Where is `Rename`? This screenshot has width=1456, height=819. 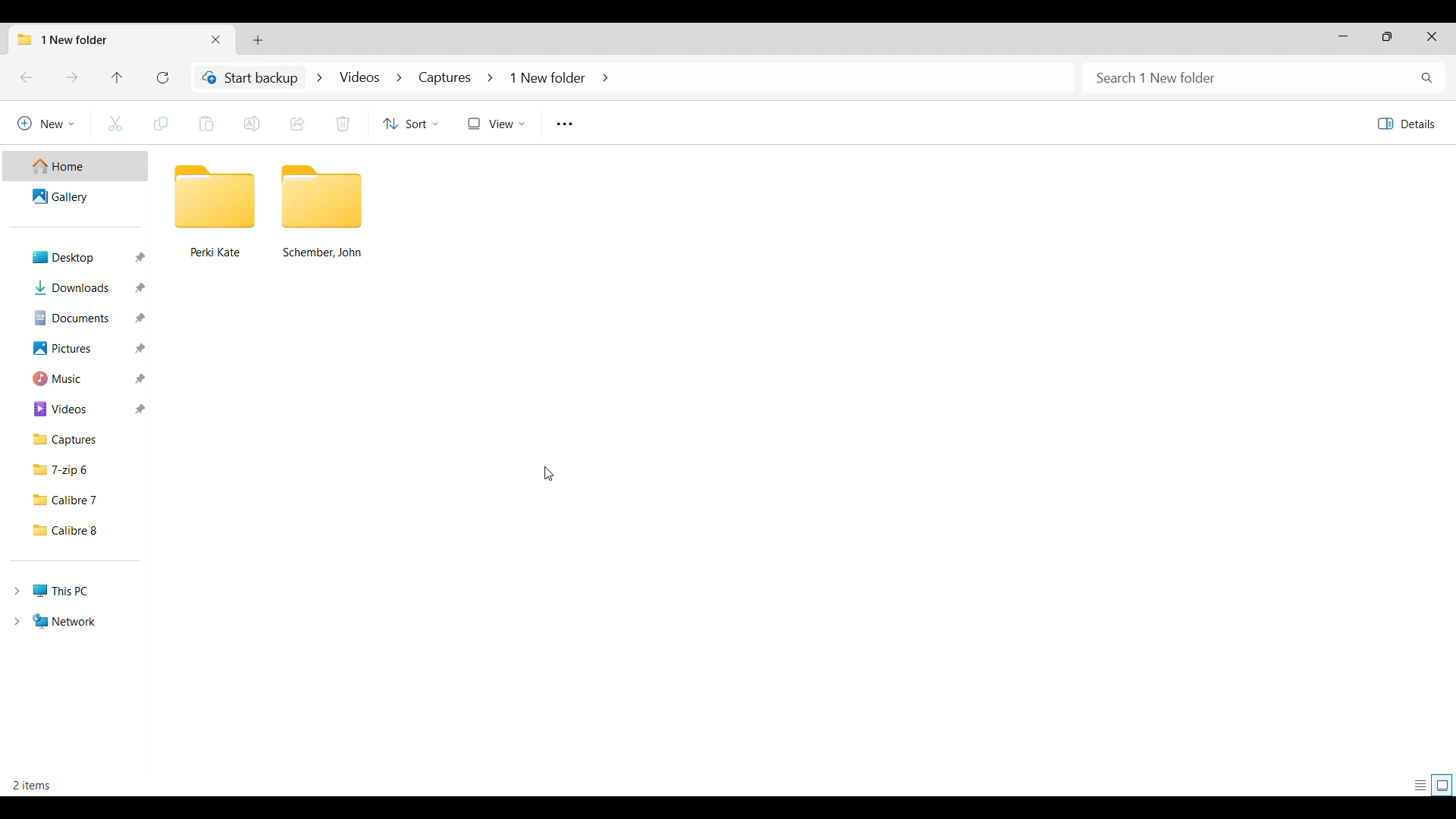 Rename is located at coordinates (251, 124).